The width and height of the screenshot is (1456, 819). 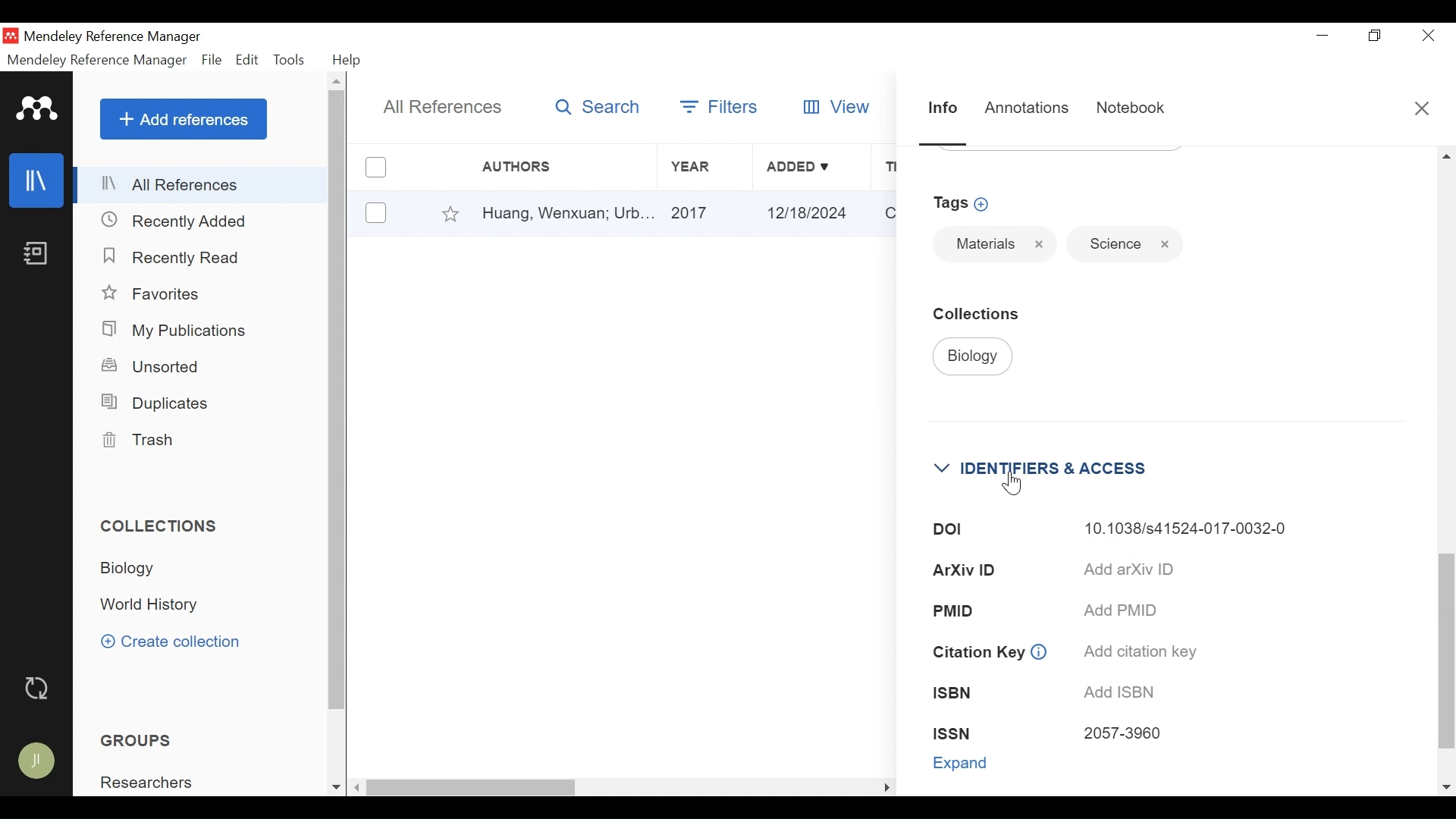 I want to click on Add citation key, so click(x=1141, y=651).